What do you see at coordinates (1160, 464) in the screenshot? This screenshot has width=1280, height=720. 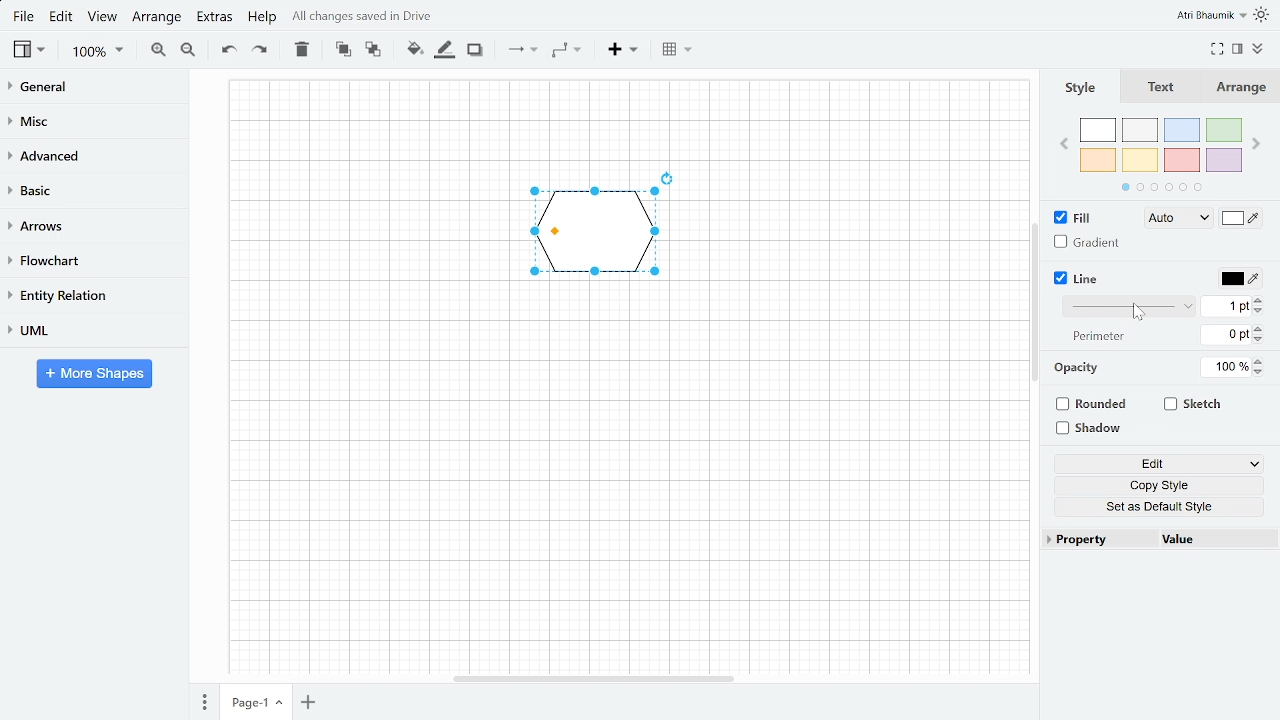 I see `Edit` at bounding box center [1160, 464].